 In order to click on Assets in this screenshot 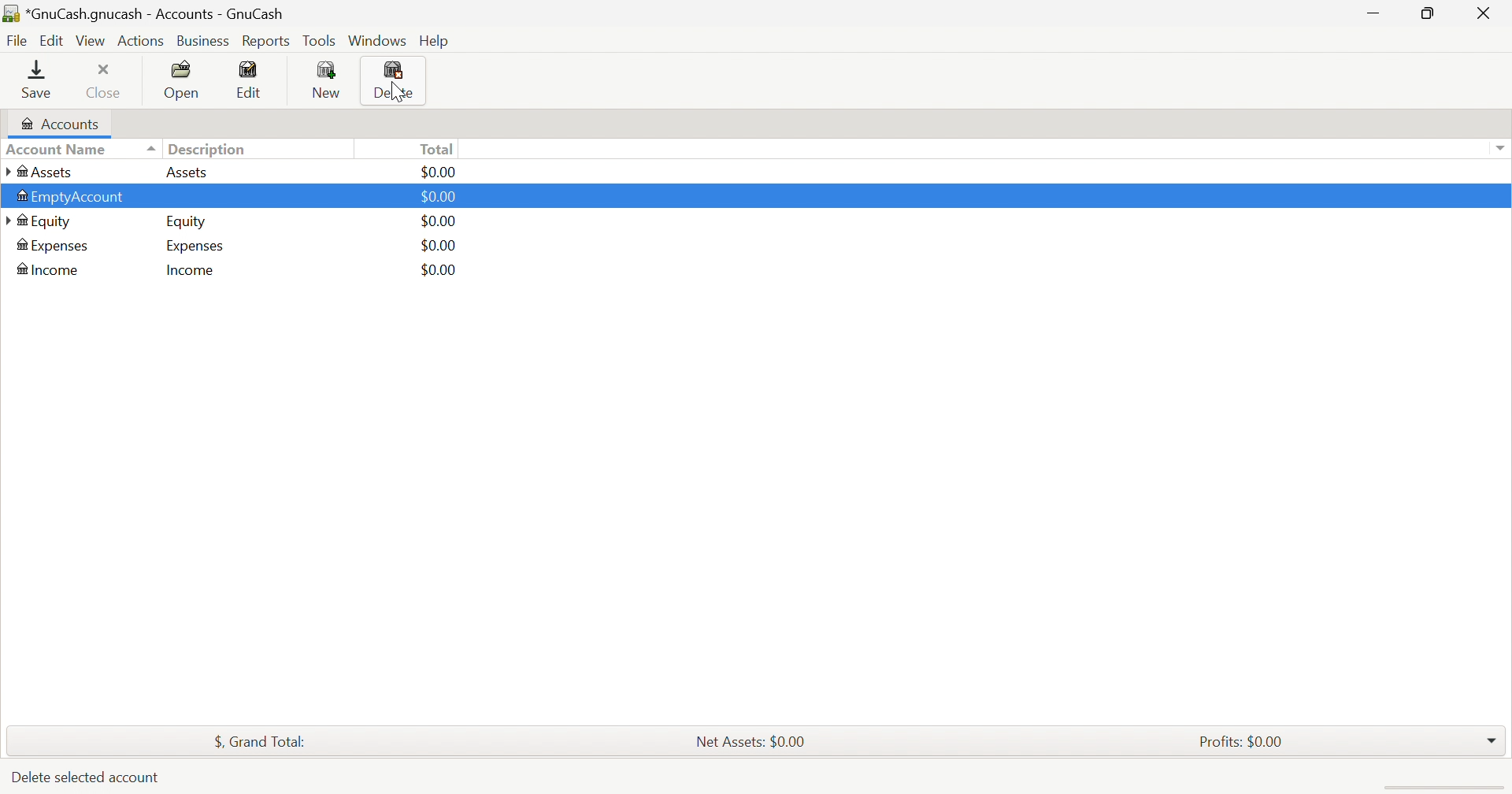, I will do `click(187, 173)`.